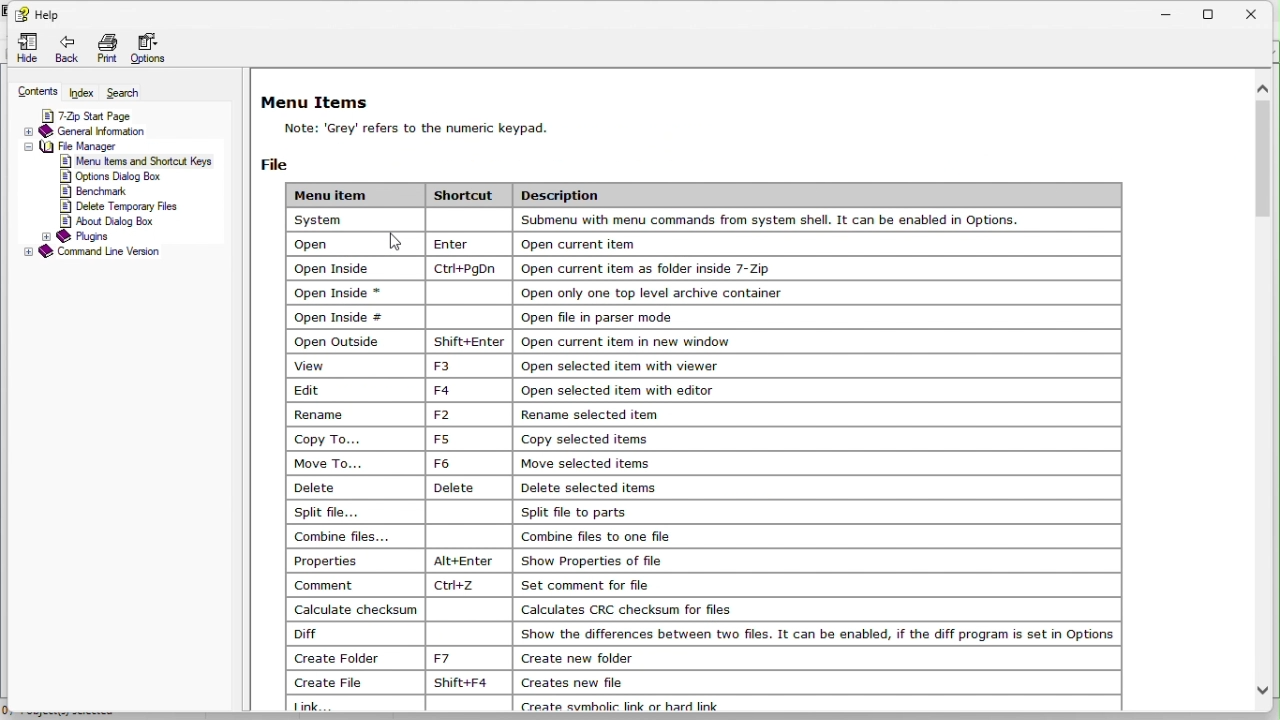 Image resolution: width=1280 pixels, height=720 pixels. I want to click on Back, so click(65, 50).